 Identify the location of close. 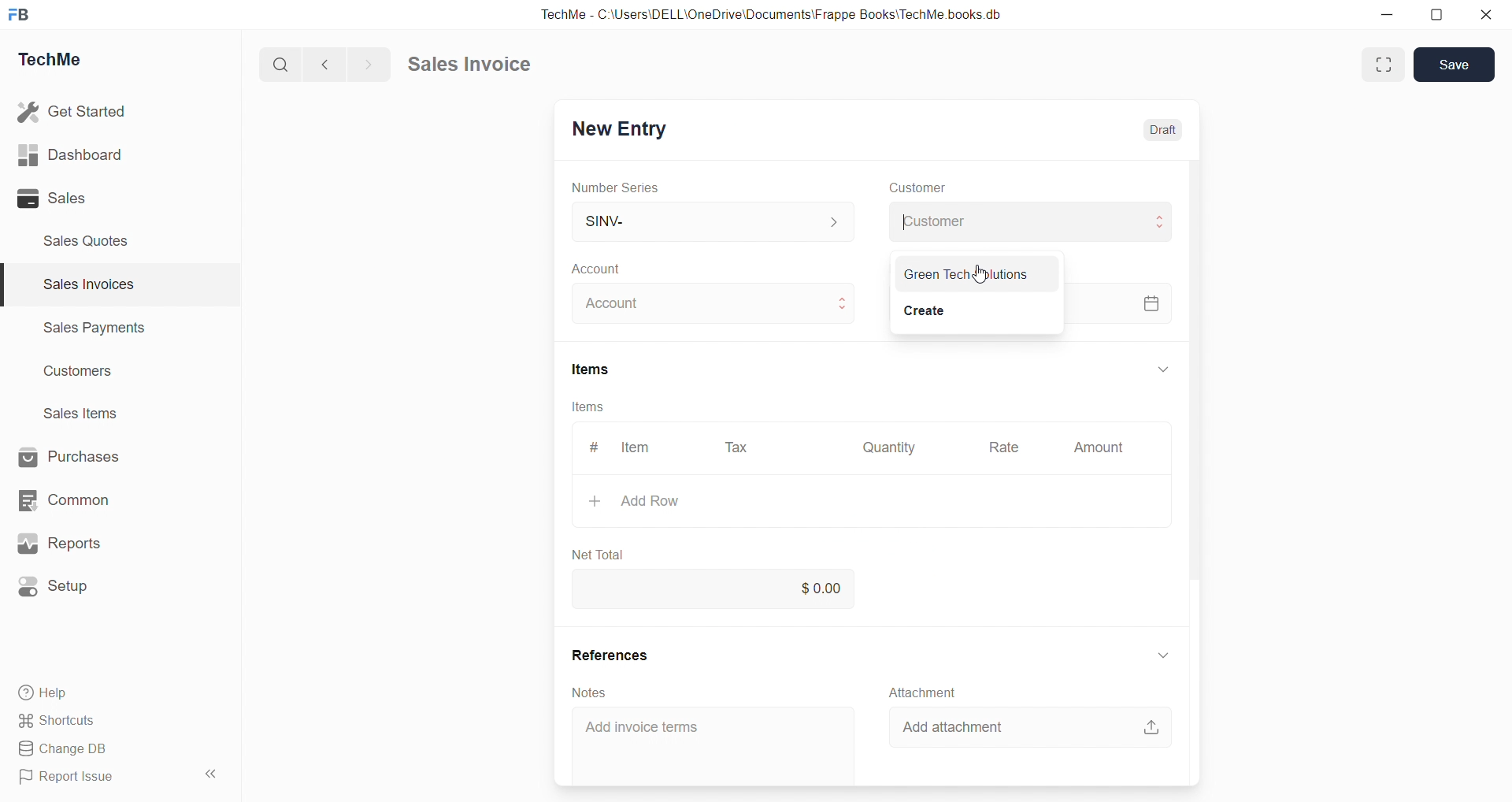
(1487, 14).